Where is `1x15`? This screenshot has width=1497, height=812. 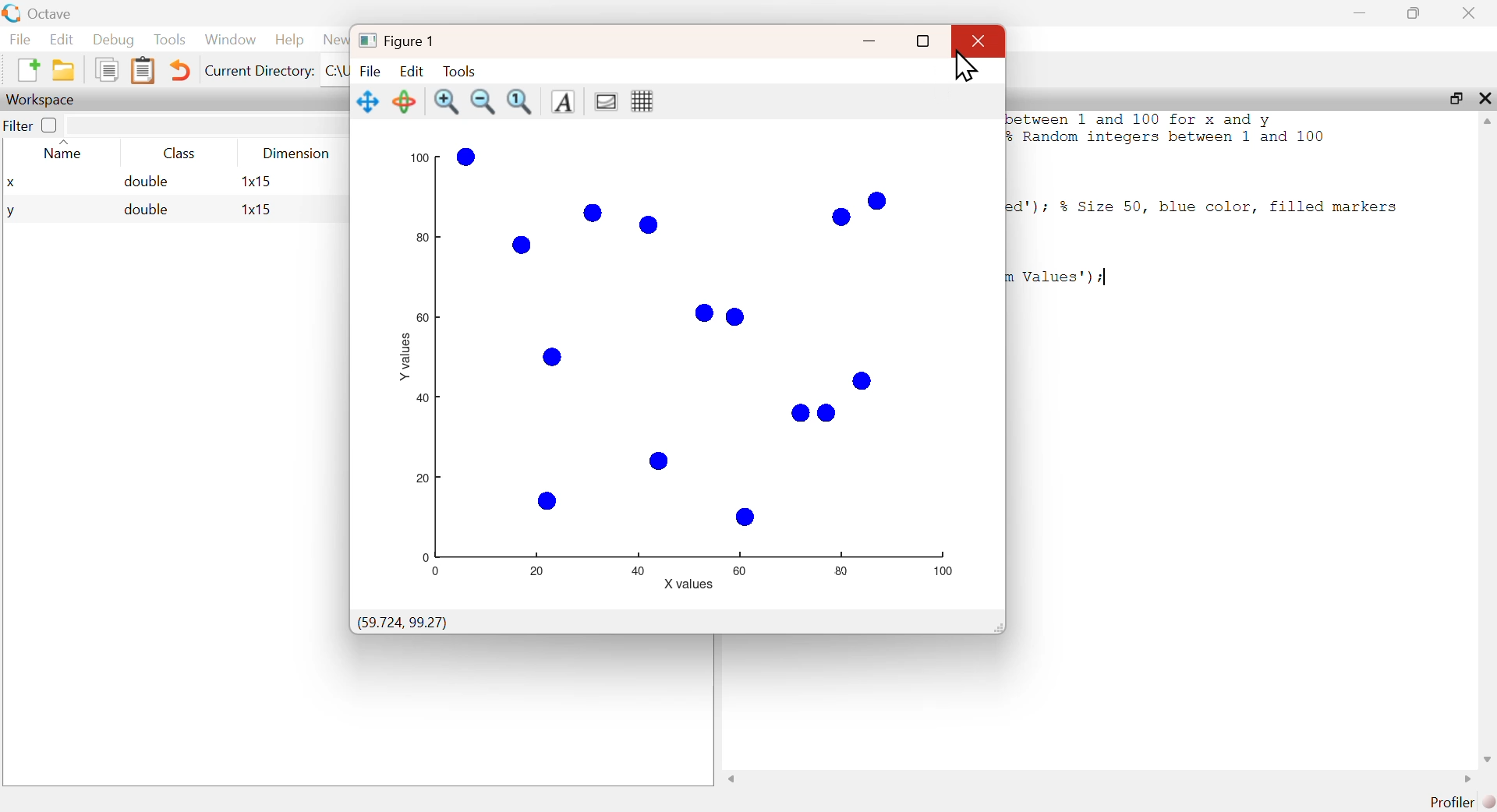
1x15 is located at coordinates (256, 181).